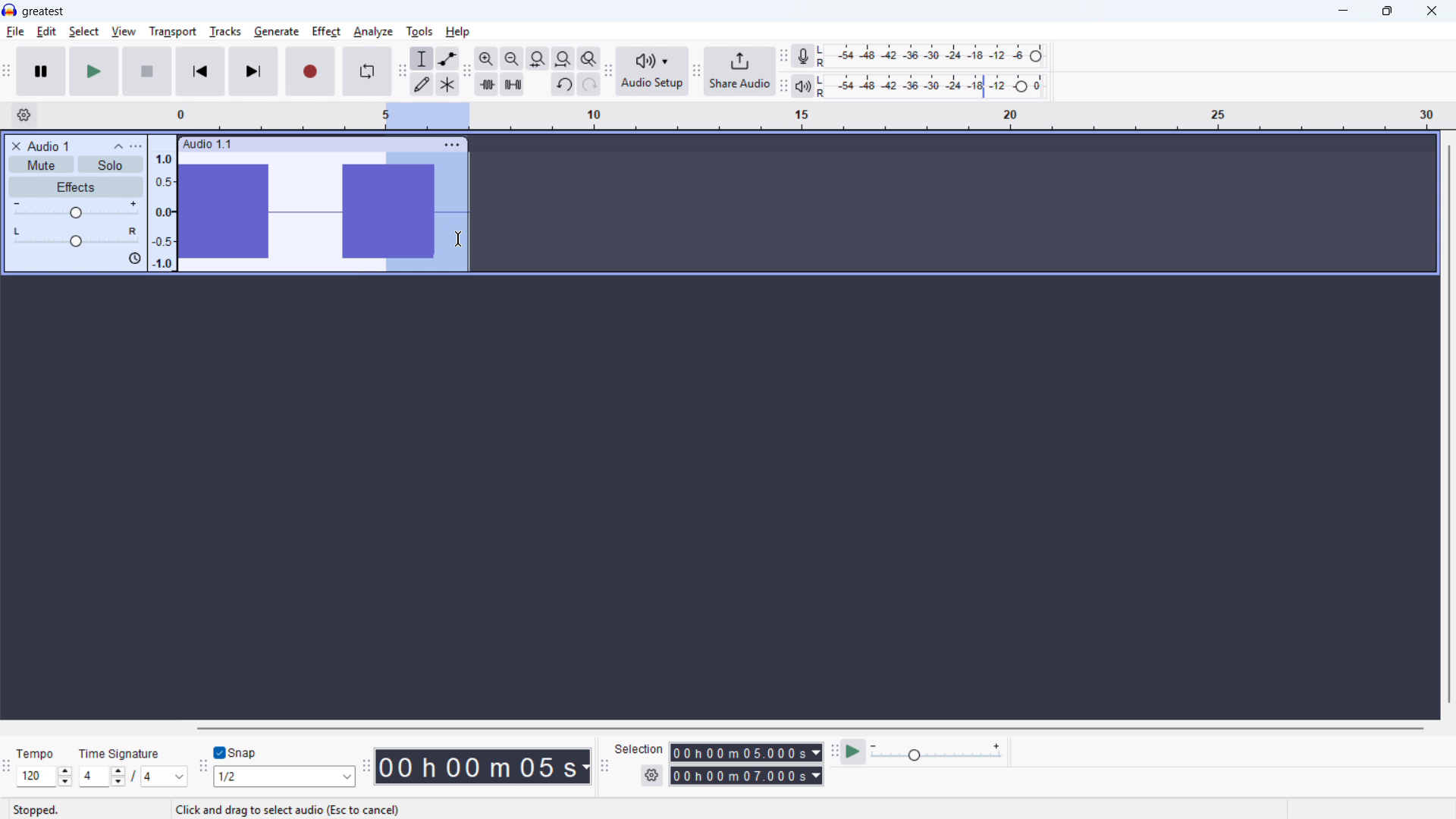  I want to click on Cursor , so click(457, 240).